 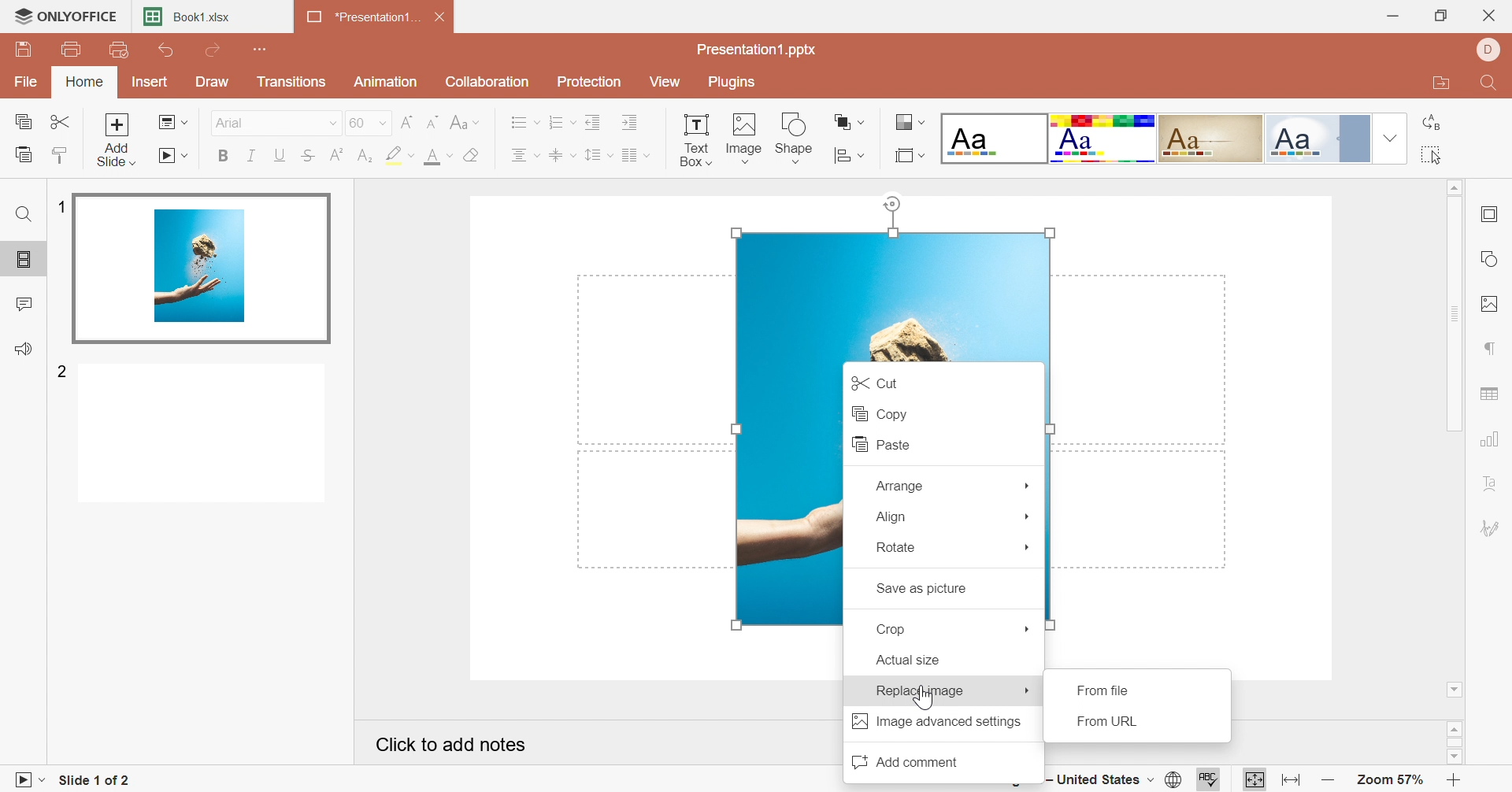 What do you see at coordinates (873, 381) in the screenshot?
I see `Cut` at bounding box center [873, 381].